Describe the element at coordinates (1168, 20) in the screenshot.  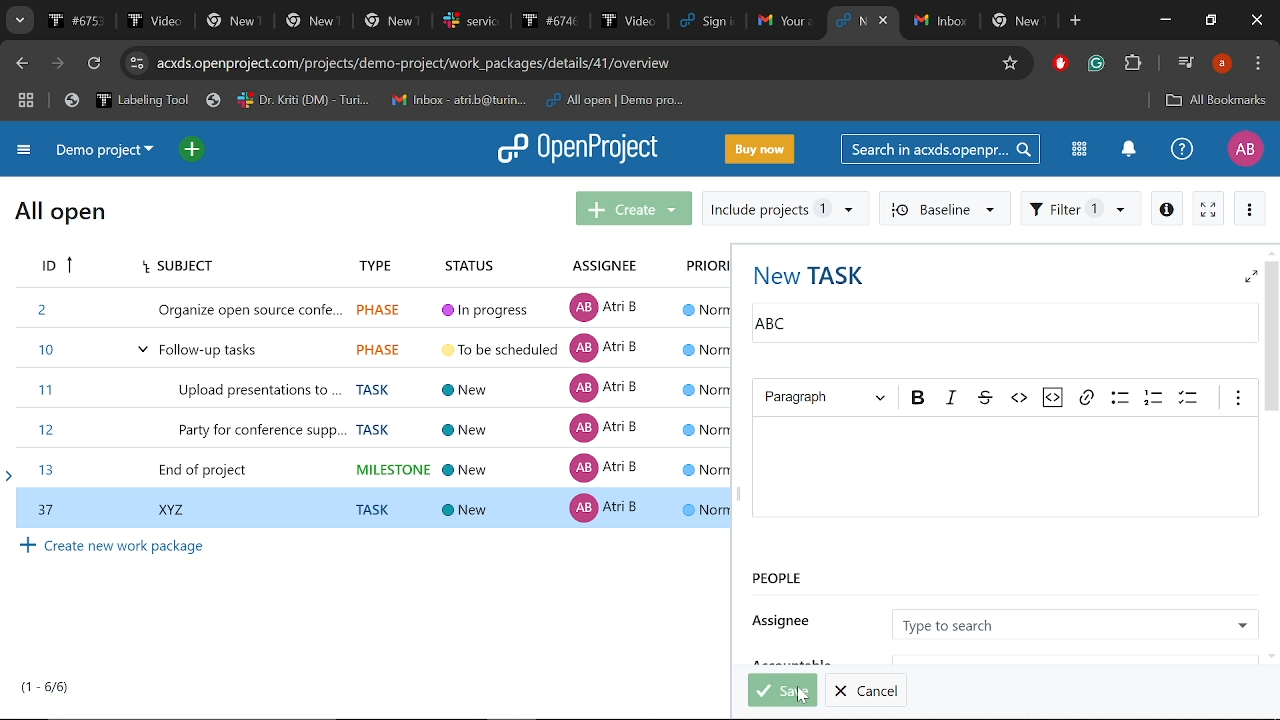
I see `Minimize` at that location.